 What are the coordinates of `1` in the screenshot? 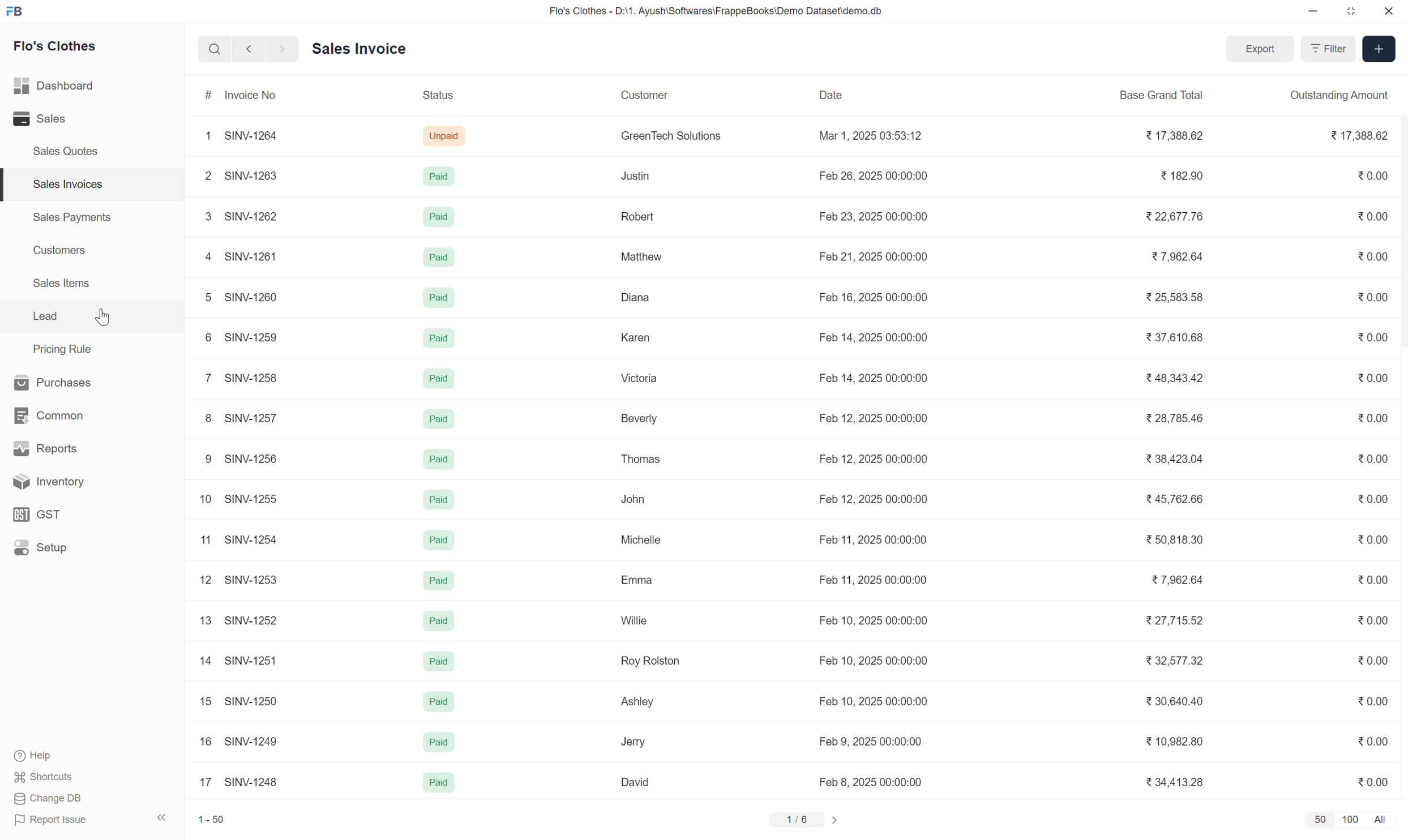 It's located at (202, 538).